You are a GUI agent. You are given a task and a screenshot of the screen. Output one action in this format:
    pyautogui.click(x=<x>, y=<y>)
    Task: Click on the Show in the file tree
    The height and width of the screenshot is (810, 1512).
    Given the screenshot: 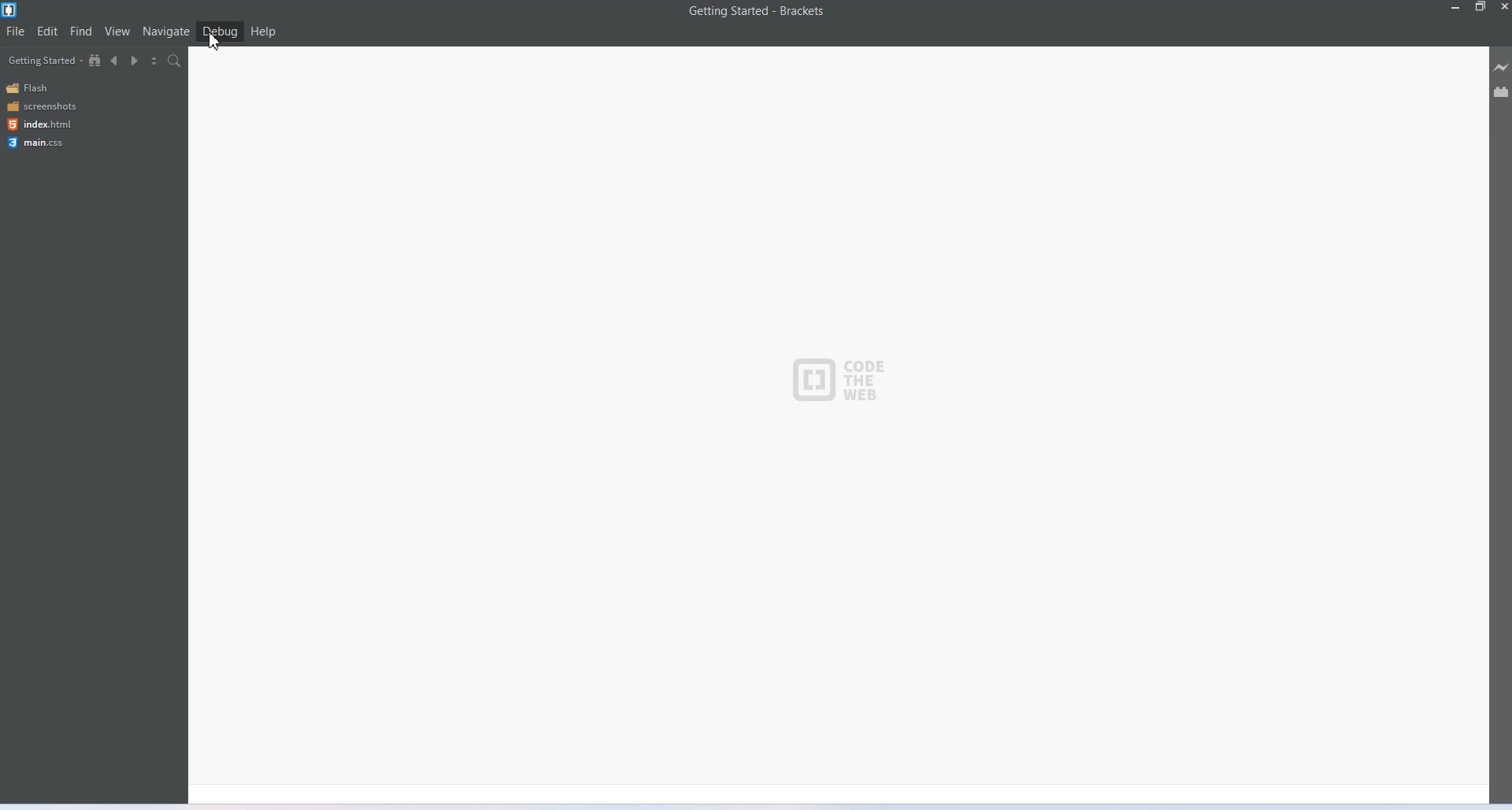 What is the action you would take?
    pyautogui.click(x=95, y=60)
    